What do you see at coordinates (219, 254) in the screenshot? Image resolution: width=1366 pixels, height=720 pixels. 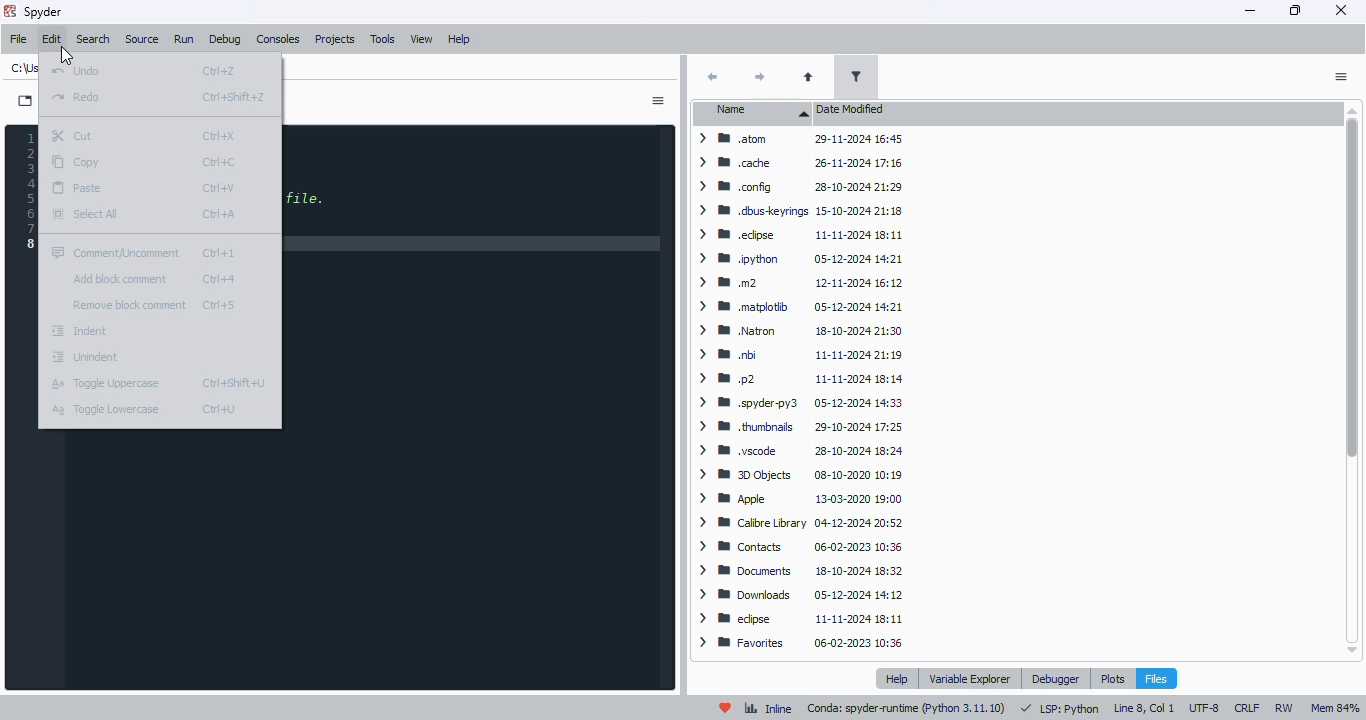 I see `shortcut for comment/uncomment` at bounding box center [219, 254].